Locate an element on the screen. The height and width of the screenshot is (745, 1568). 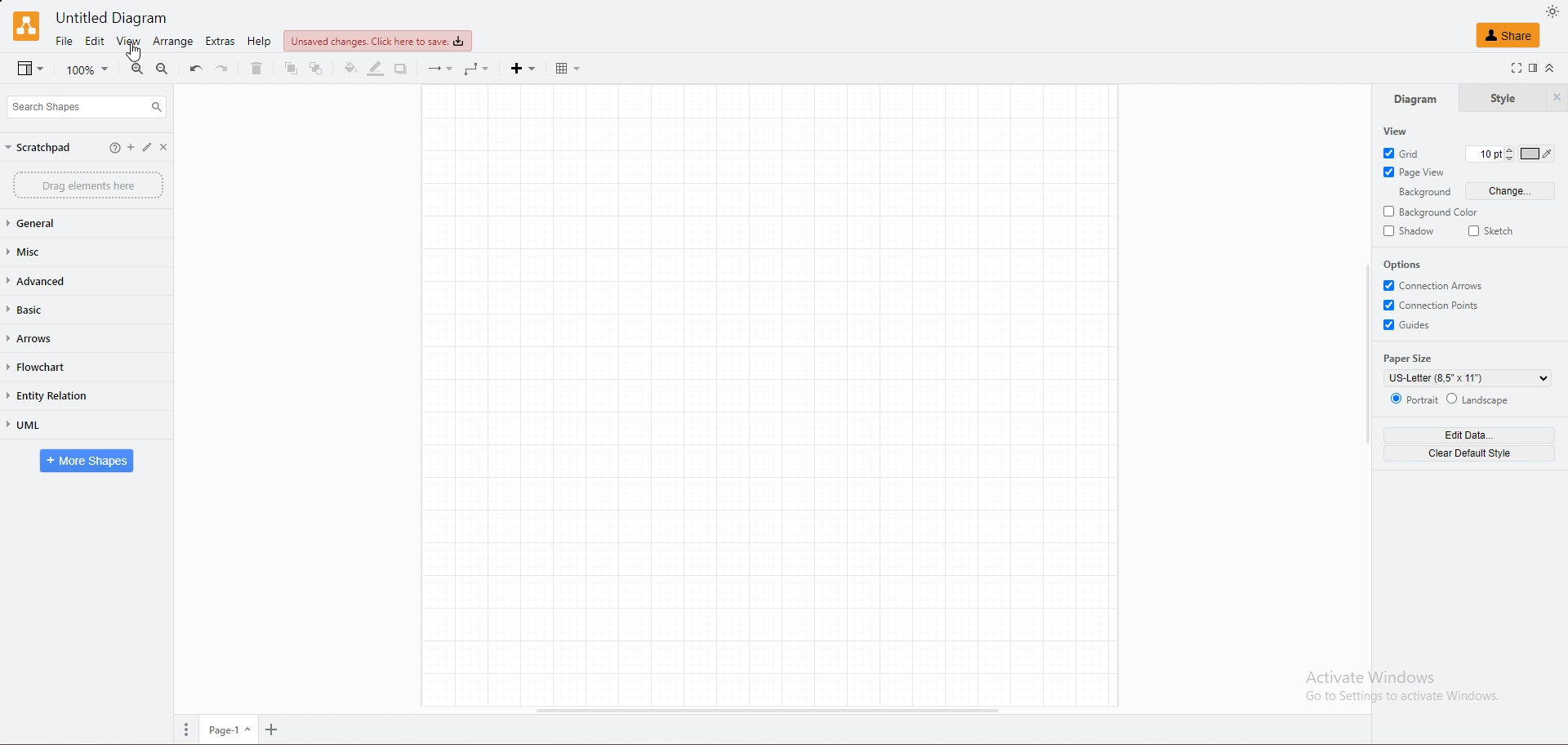
portrait is located at coordinates (1413, 399).